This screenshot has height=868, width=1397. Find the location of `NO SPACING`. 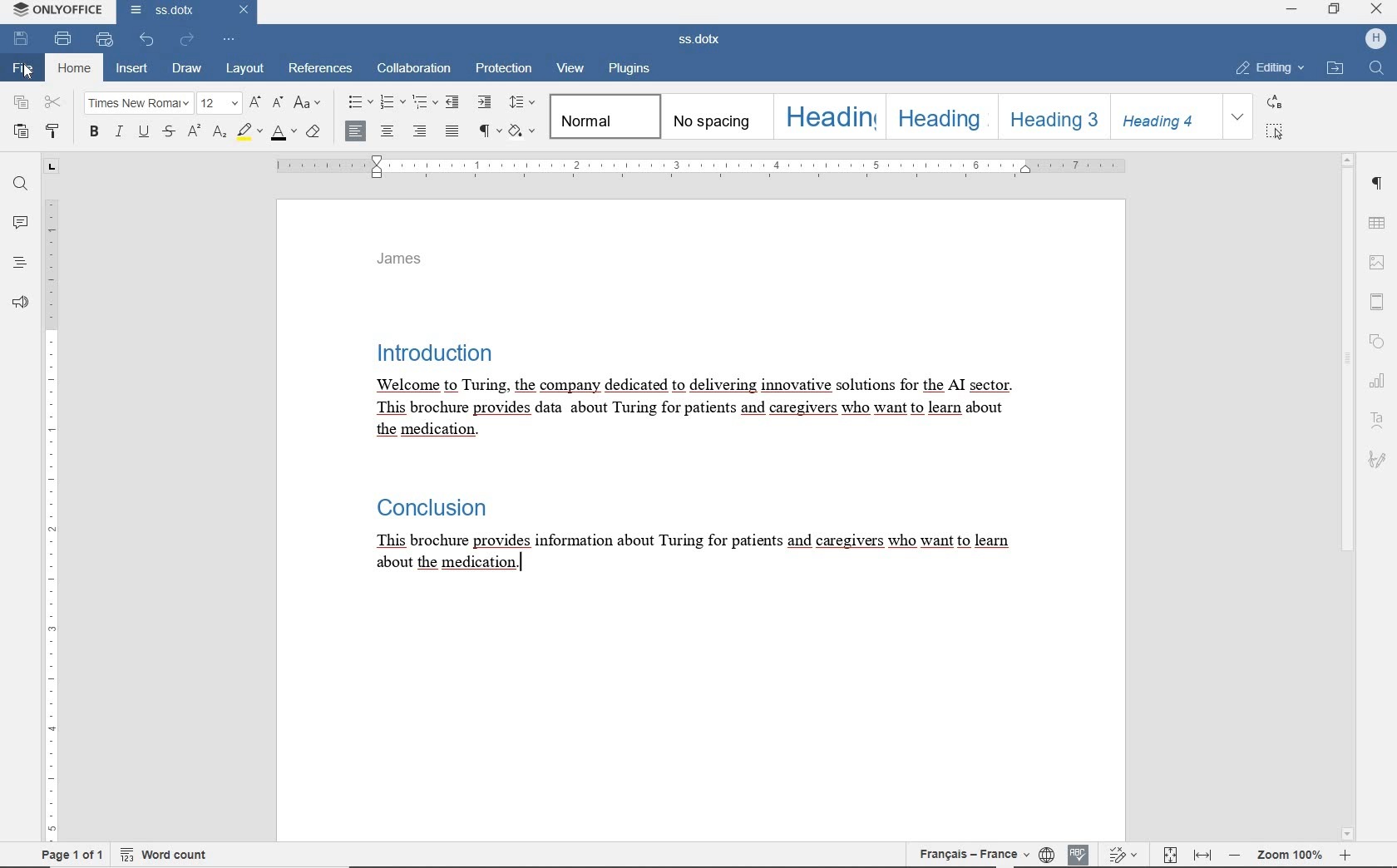

NO SPACING is located at coordinates (713, 116).